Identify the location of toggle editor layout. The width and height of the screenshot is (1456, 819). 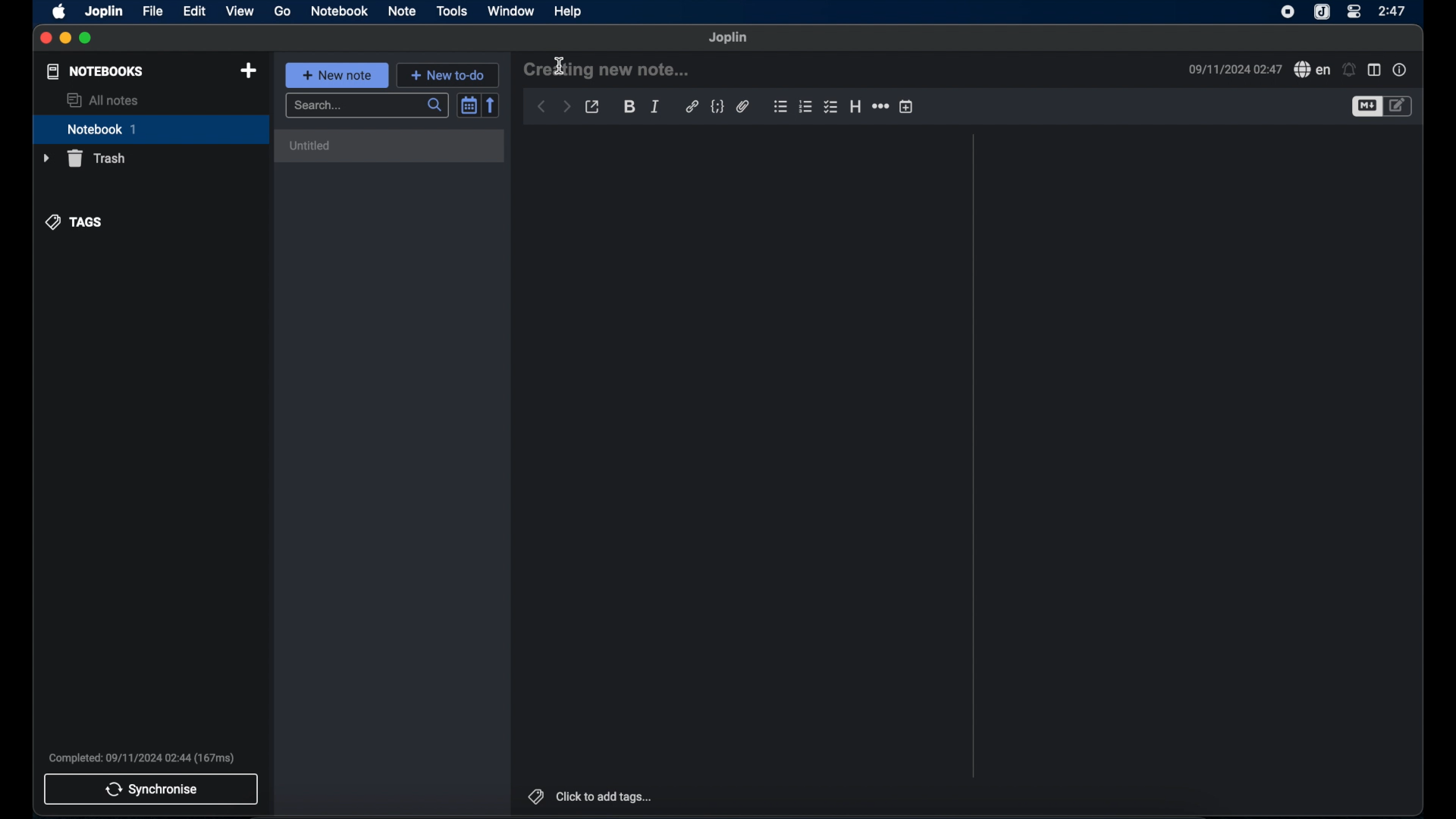
(1374, 71).